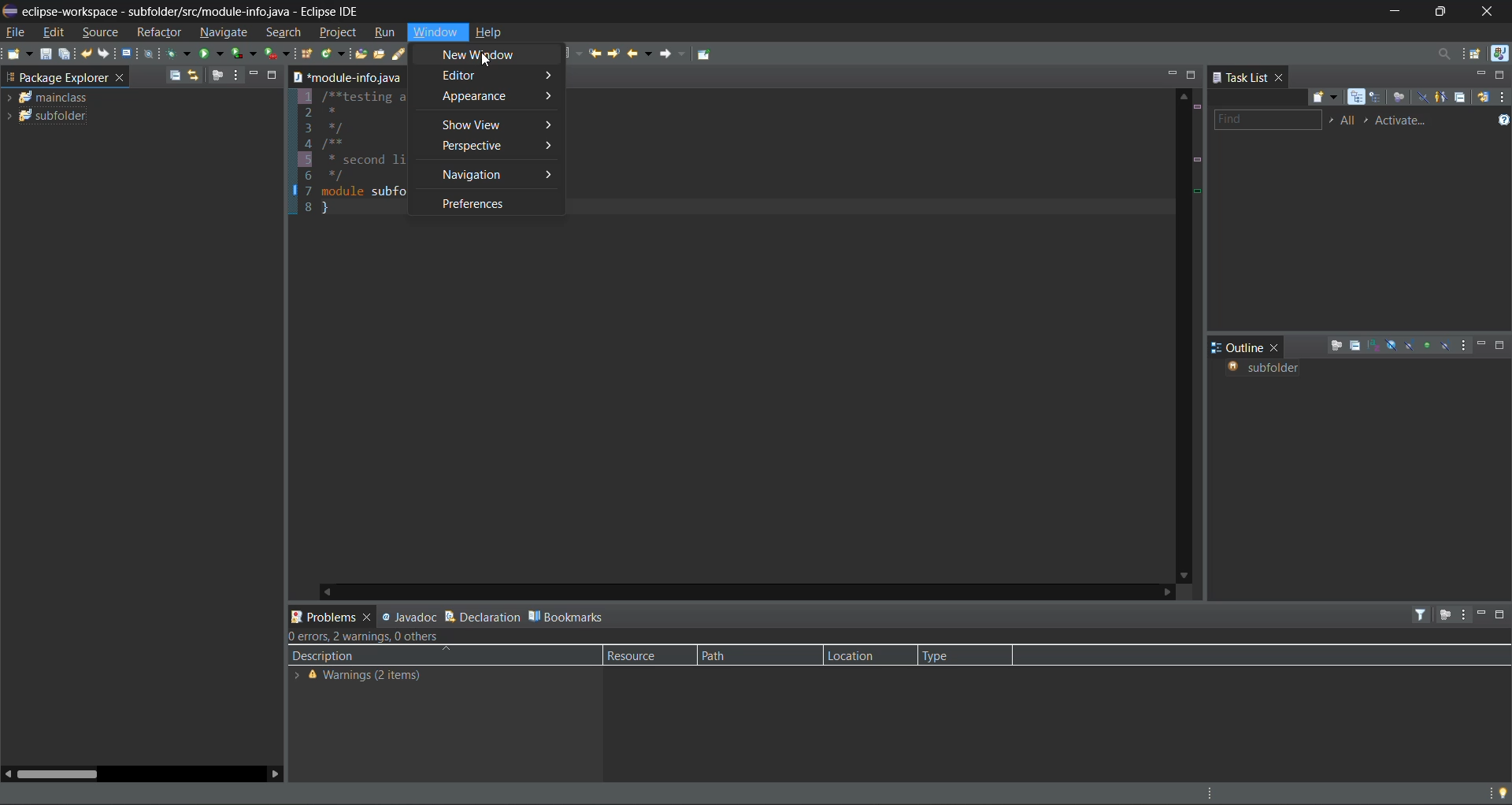 Image resolution: width=1512 pixels, height=805 pixels. What do you see at coordinates (1399, 98) in the screenshot?
I see `focus on workweek` at bounding box center [1399, 98].